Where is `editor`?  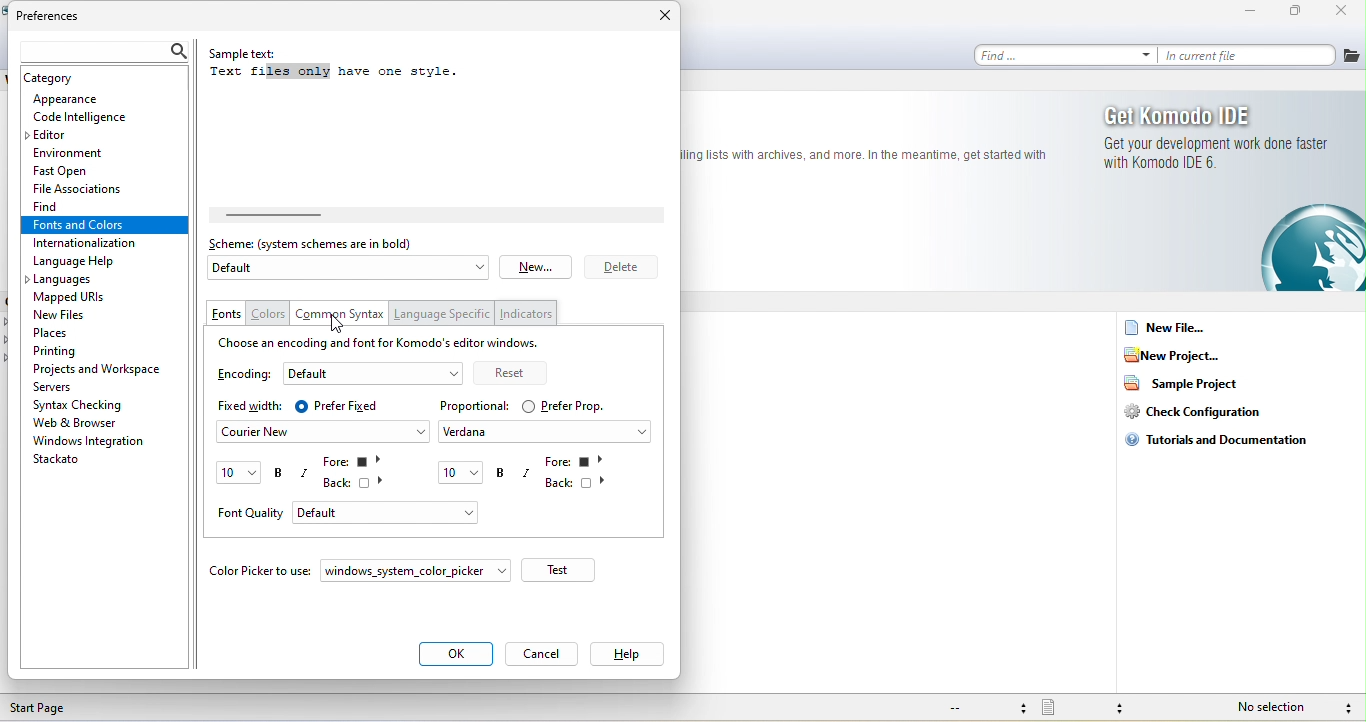 editor is located at coordinates (53, 135).